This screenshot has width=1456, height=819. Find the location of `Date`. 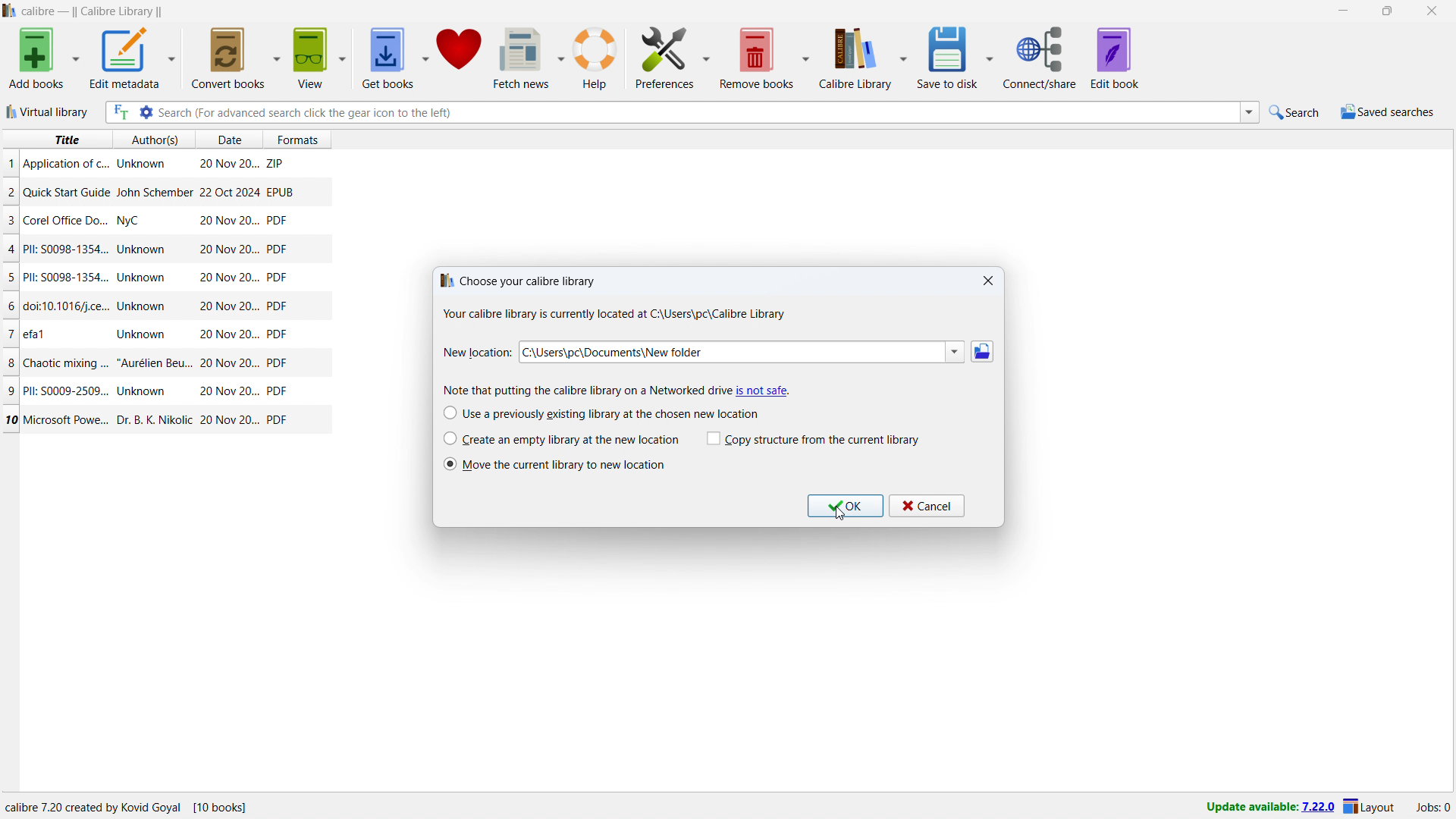

Date is located at coordinates (227, 221).